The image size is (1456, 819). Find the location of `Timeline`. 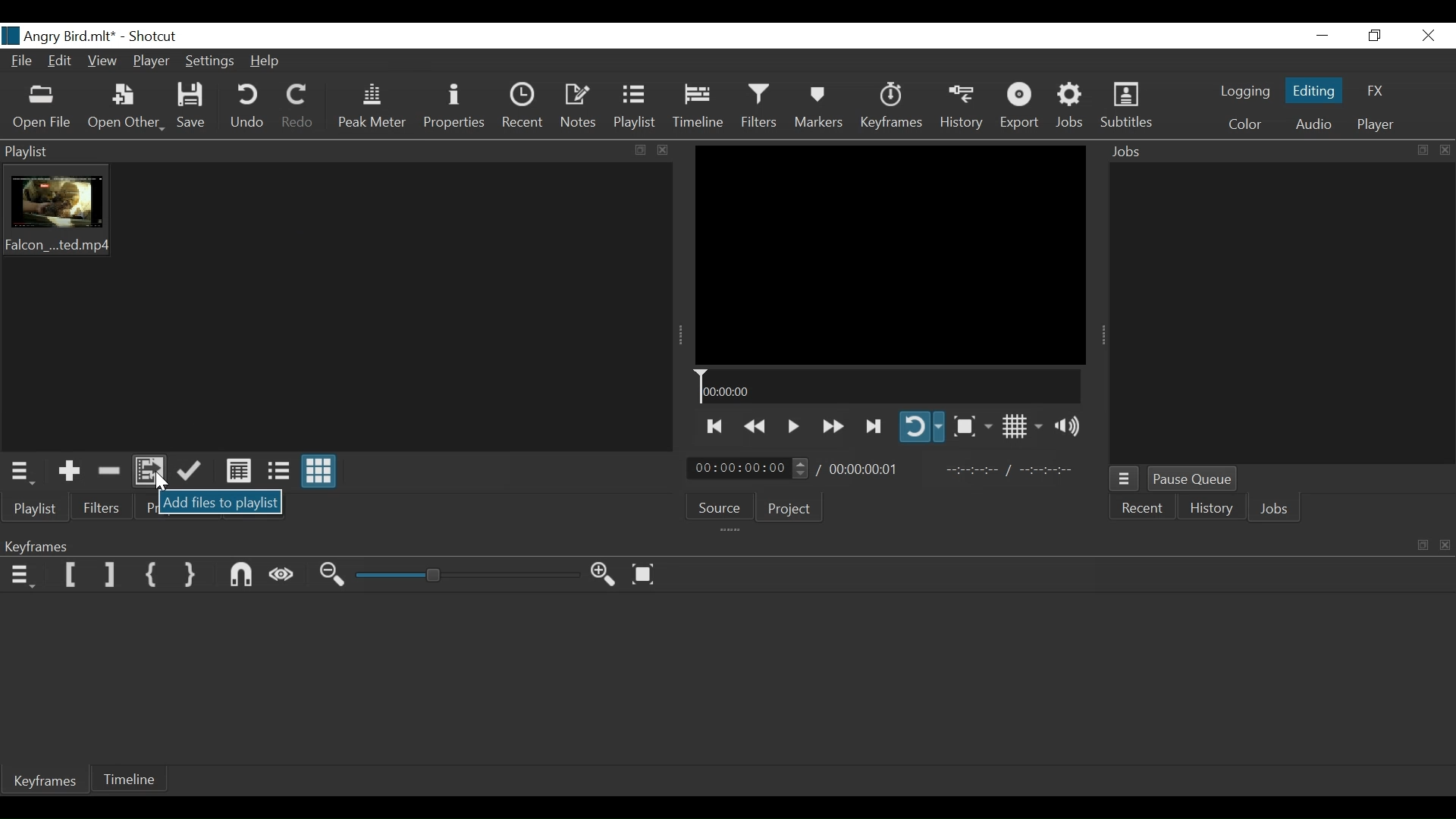

Timeline is located at coordinates (889, 386).